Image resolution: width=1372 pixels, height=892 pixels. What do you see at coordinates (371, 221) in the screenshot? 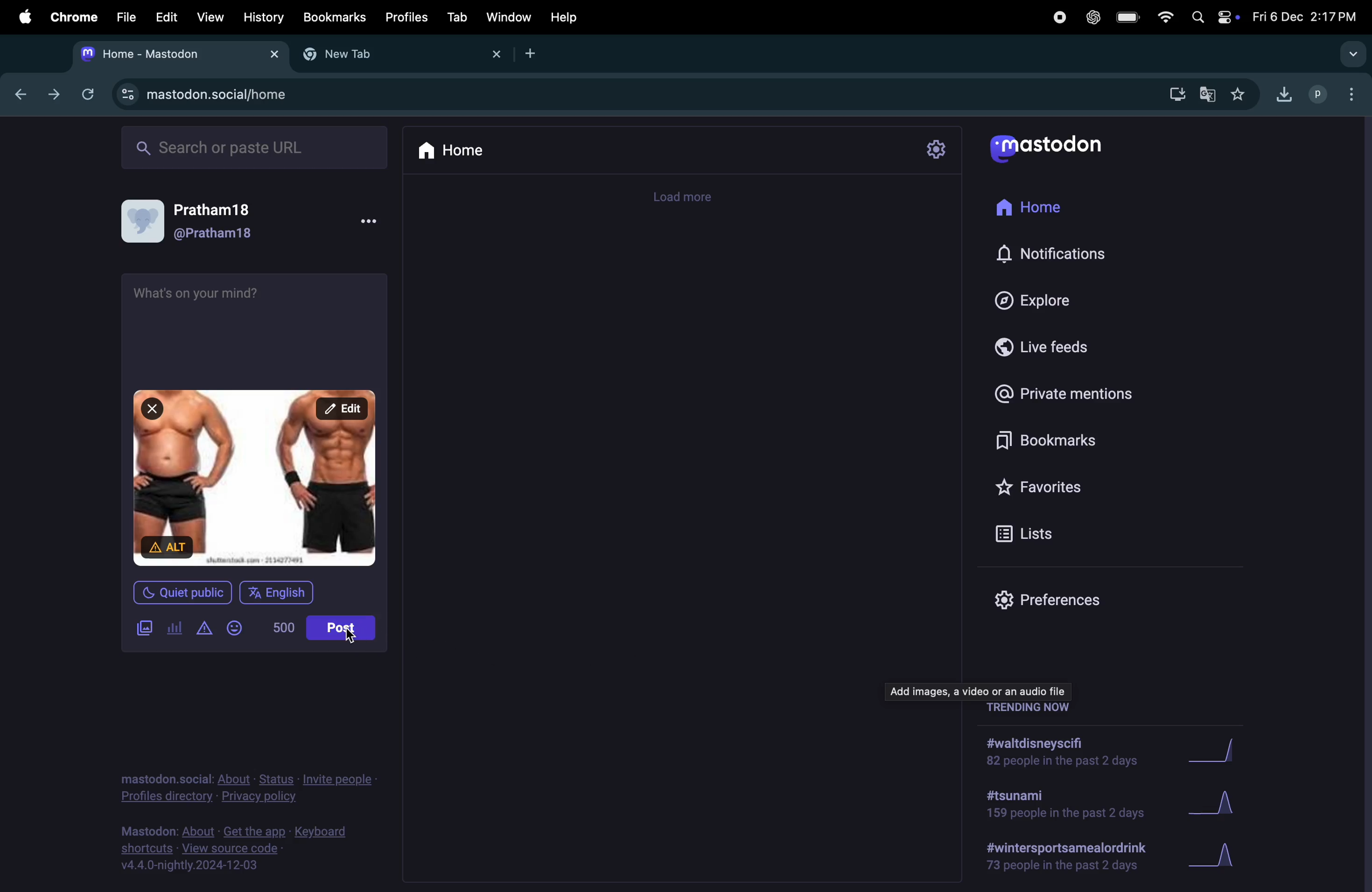
I see `options` at bounding box center [371, 221].